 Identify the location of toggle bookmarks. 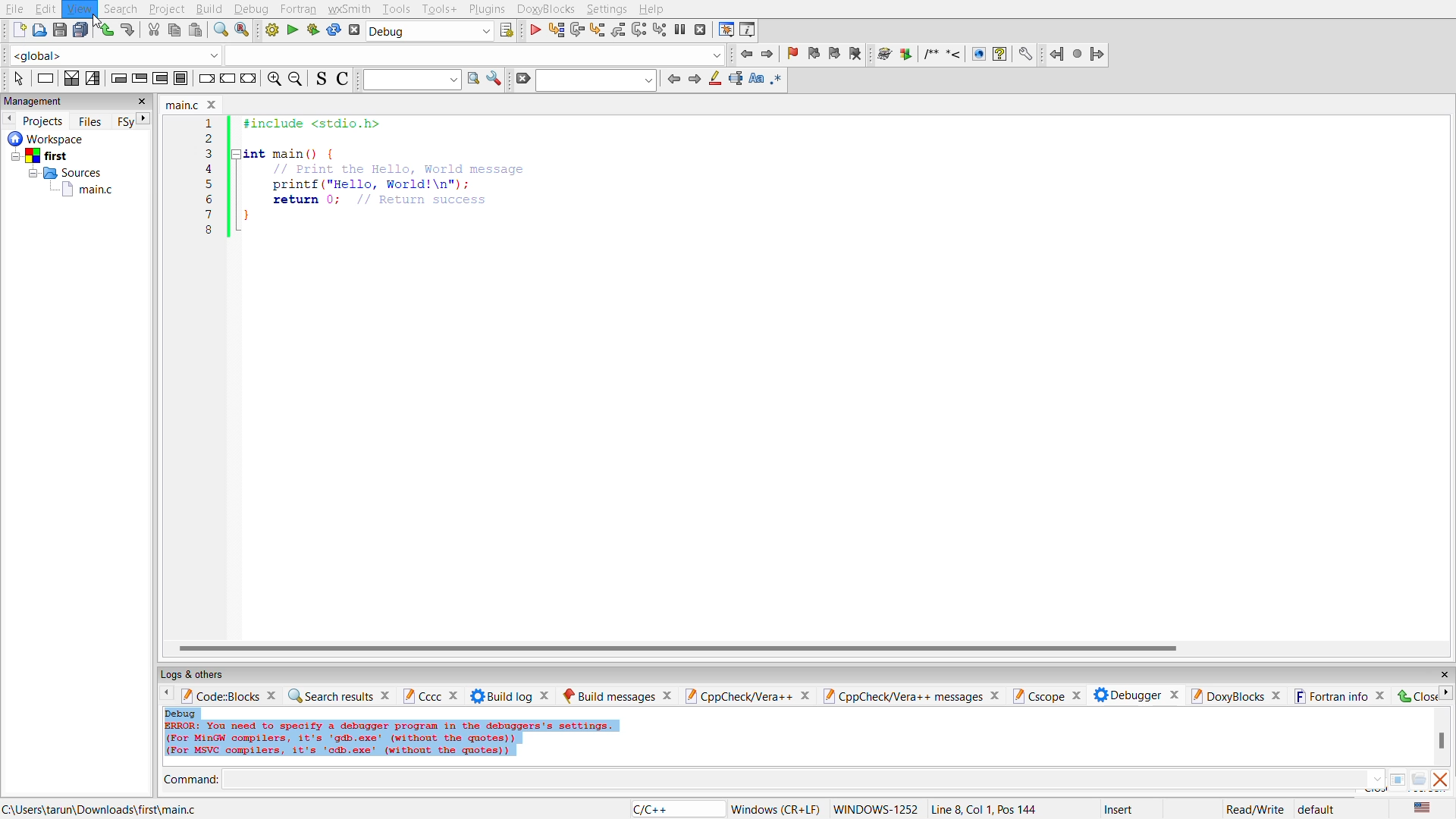
(794, 55).